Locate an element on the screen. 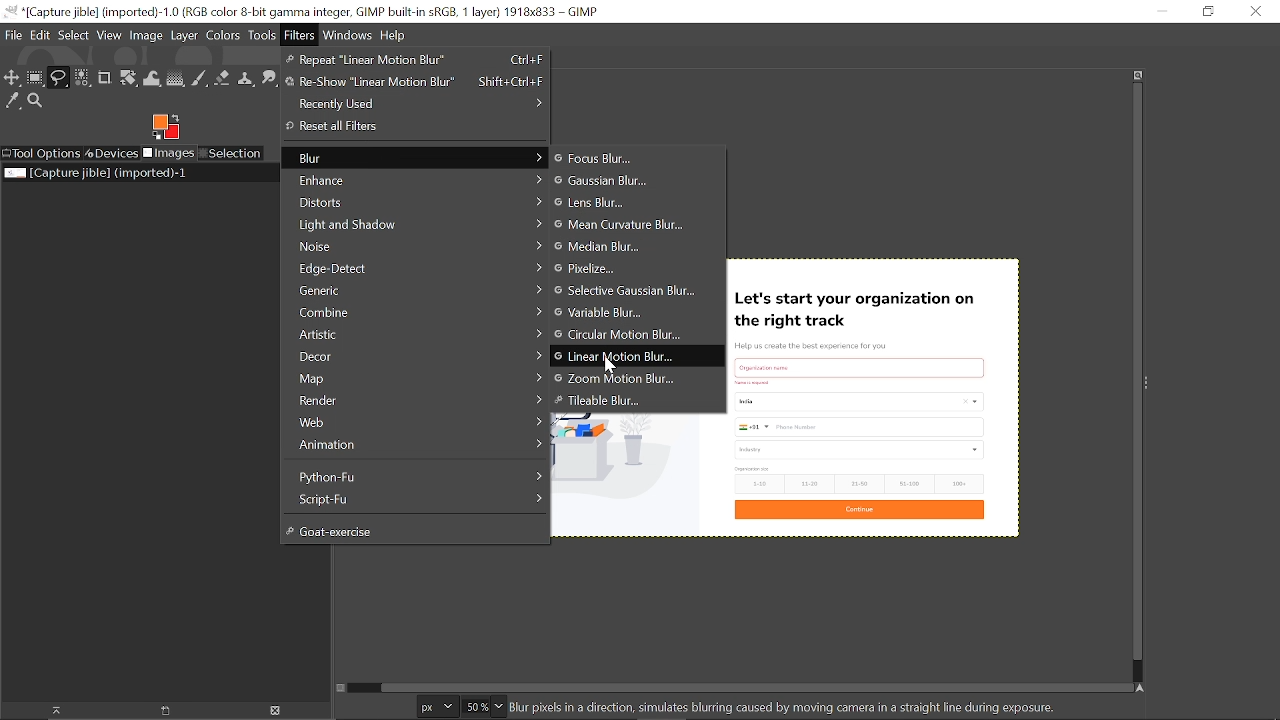 This screenshot has width=1280, height=720. Wrap text tool is located at coordinates (153, 79).